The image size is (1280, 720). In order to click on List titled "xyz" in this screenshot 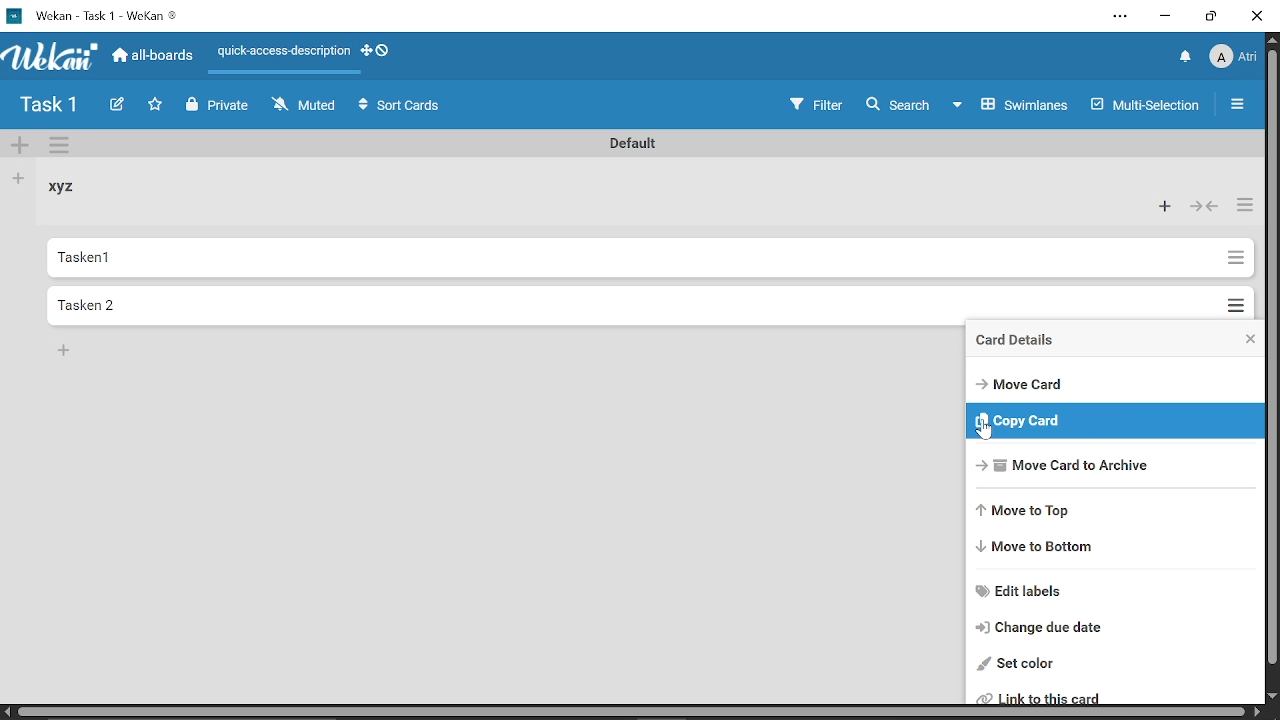, I will do `click(68, 188)`.